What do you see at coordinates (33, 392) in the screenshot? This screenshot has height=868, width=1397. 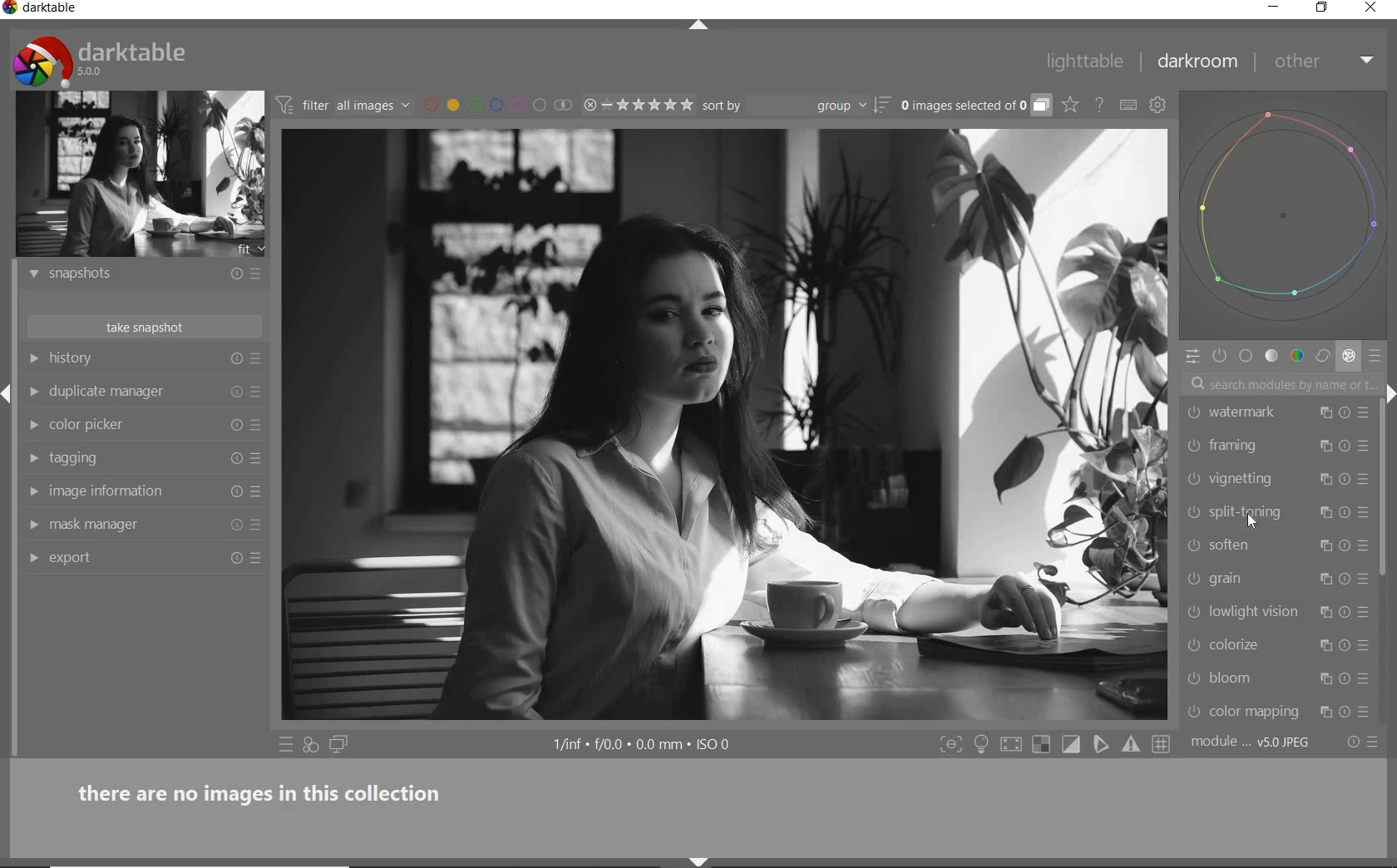 I see `show module` at bounding box center [33, 392].